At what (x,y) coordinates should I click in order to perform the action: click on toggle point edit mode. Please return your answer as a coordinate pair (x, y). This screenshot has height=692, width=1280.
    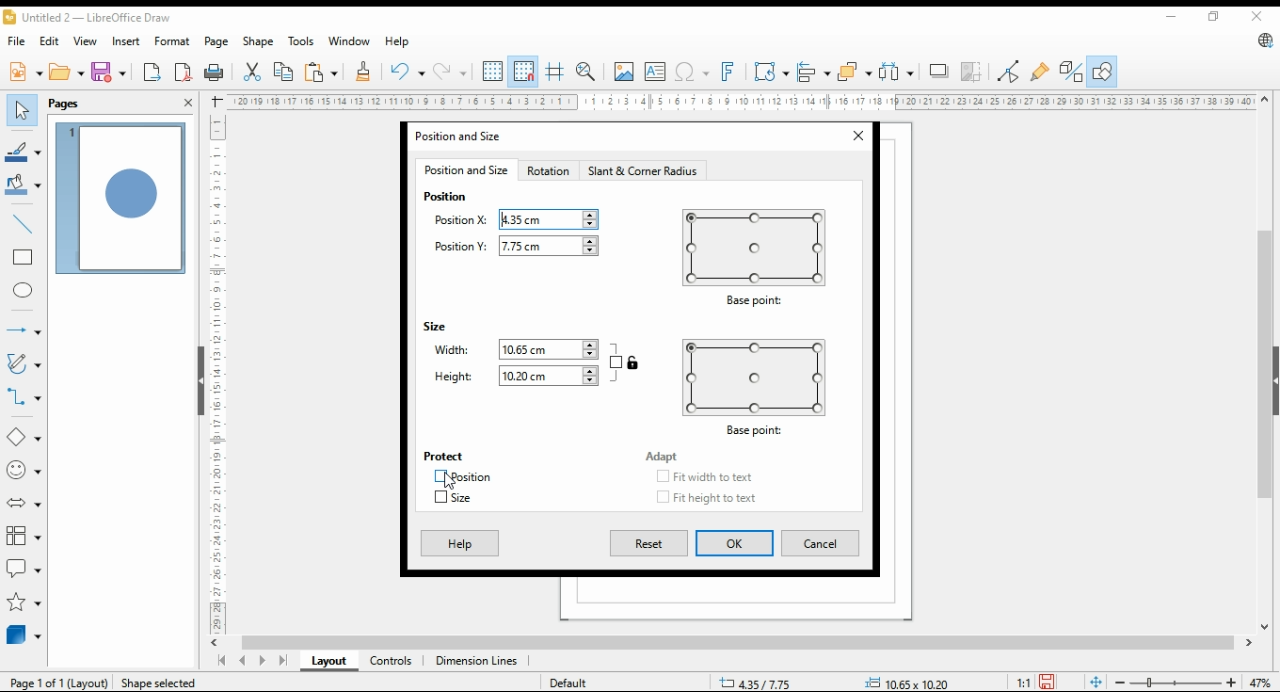
    Looking at the image, I should click on (1007, 70).